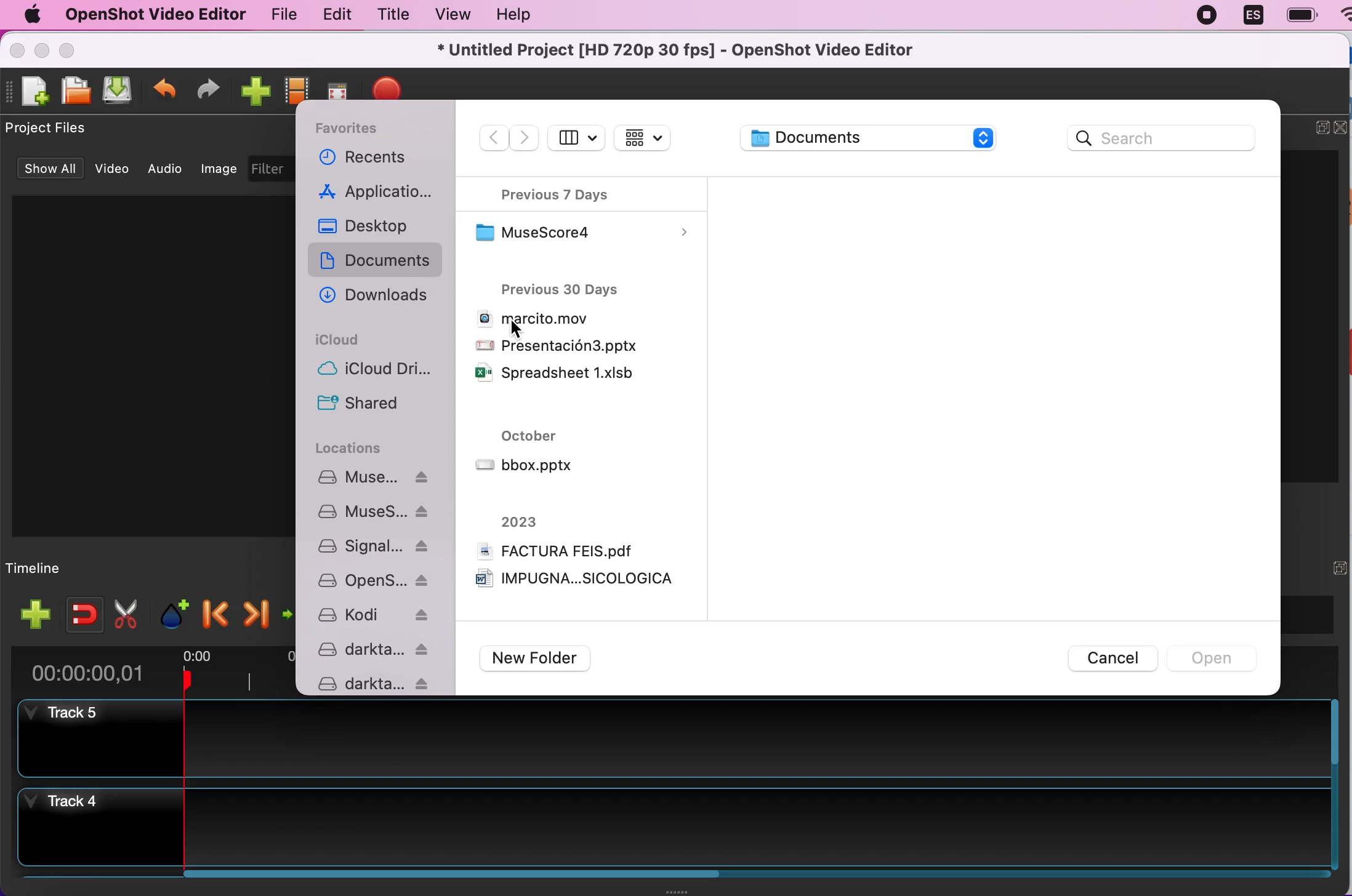 The image size is (1352, 896). What do you see at coordinates (167, 170) in the screenshot?
I see `audio` at bounding box center [167, 170].